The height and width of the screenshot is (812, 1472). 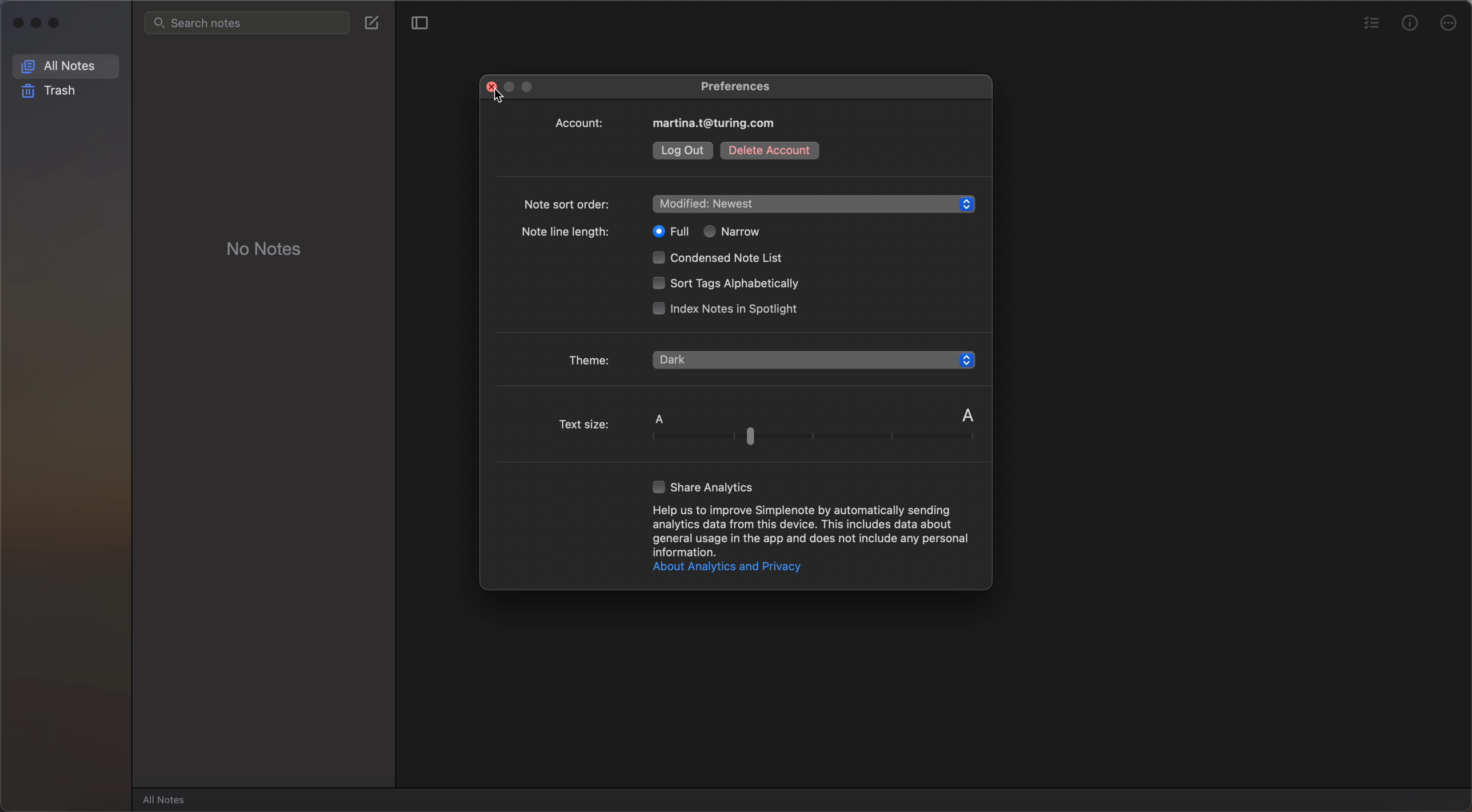 What do you see at coordinates (667, 231) in the screenshot?
I see `full` at bounding box center [667, 231].